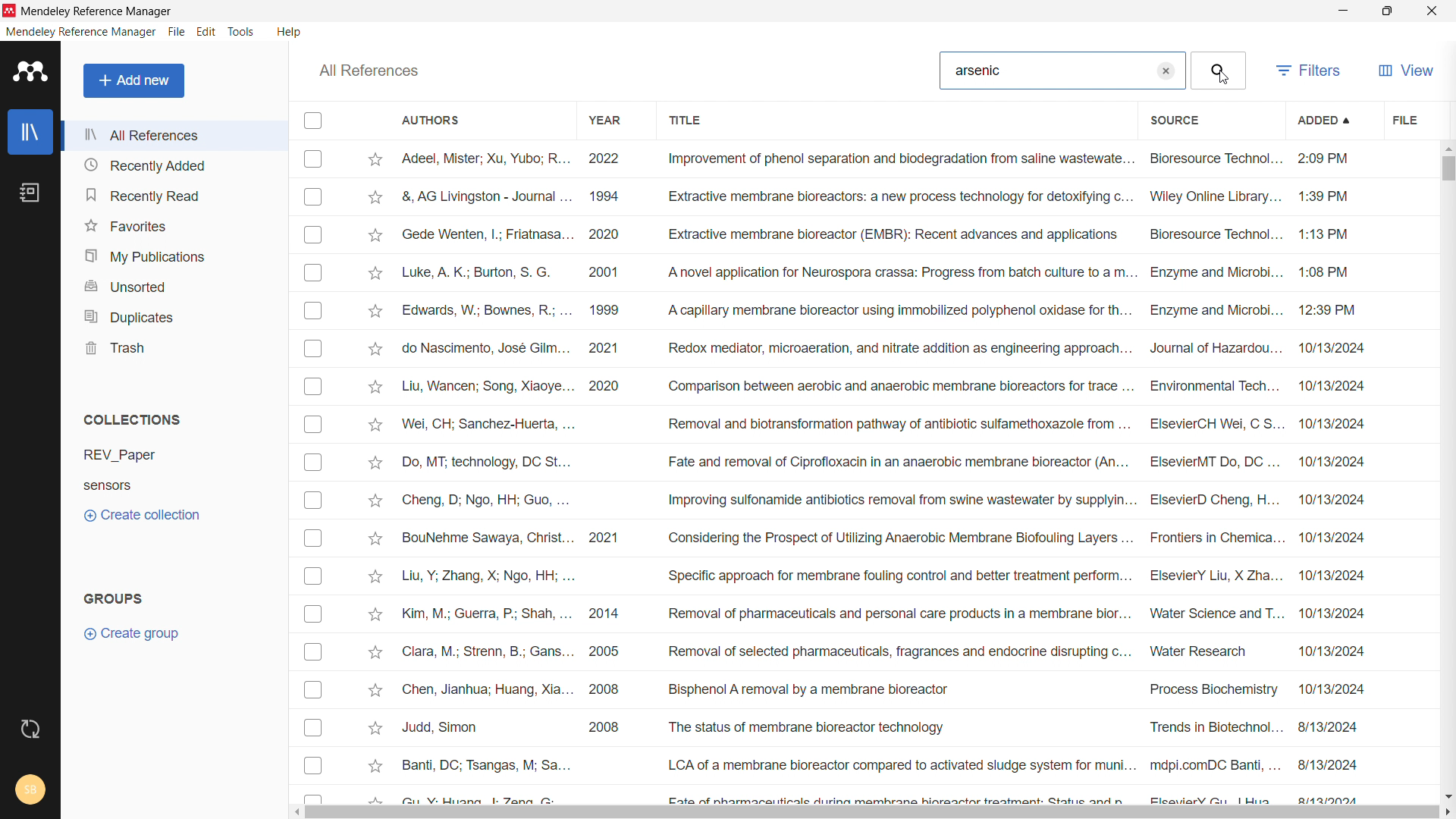  I want to click on close, so click(1432, 11).